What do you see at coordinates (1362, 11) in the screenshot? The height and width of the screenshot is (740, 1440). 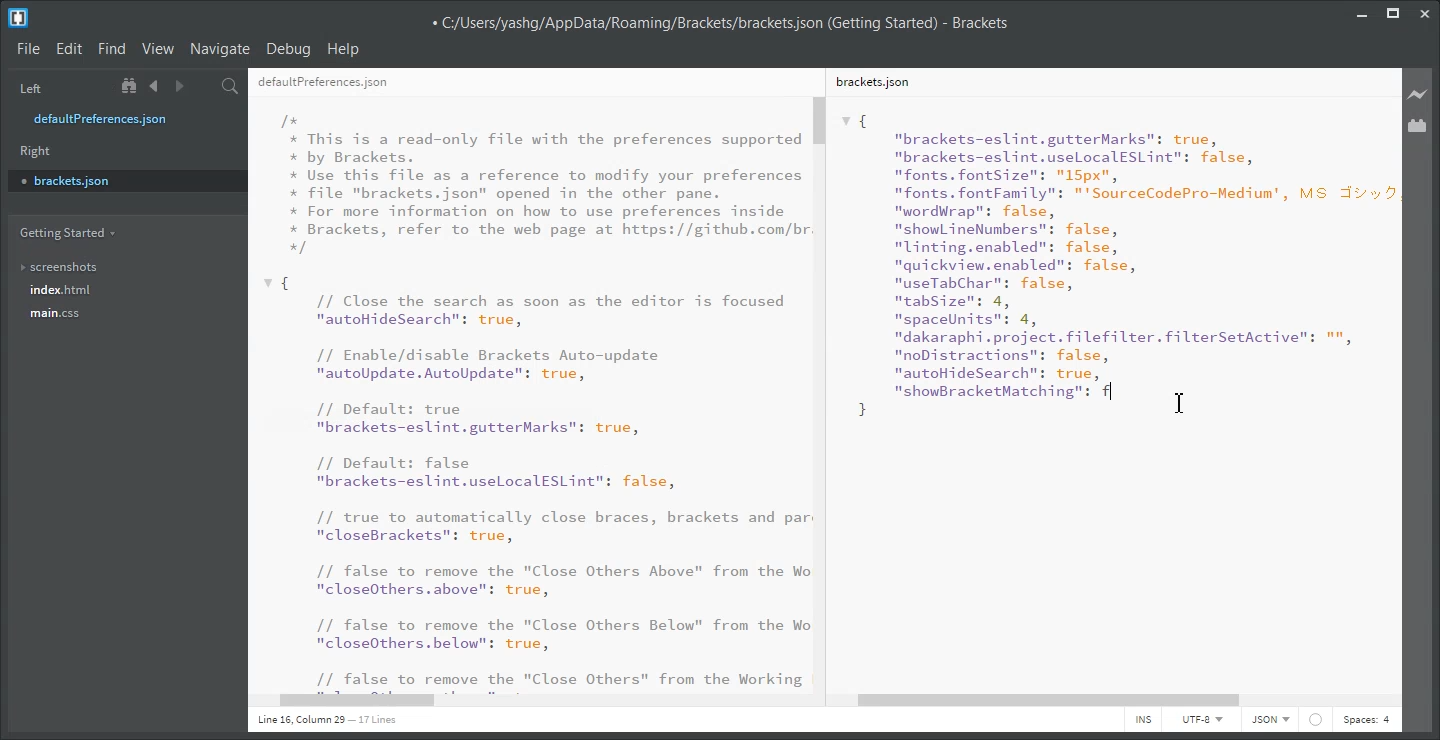 I see `Minimize` at bounding box center [1362, 11].